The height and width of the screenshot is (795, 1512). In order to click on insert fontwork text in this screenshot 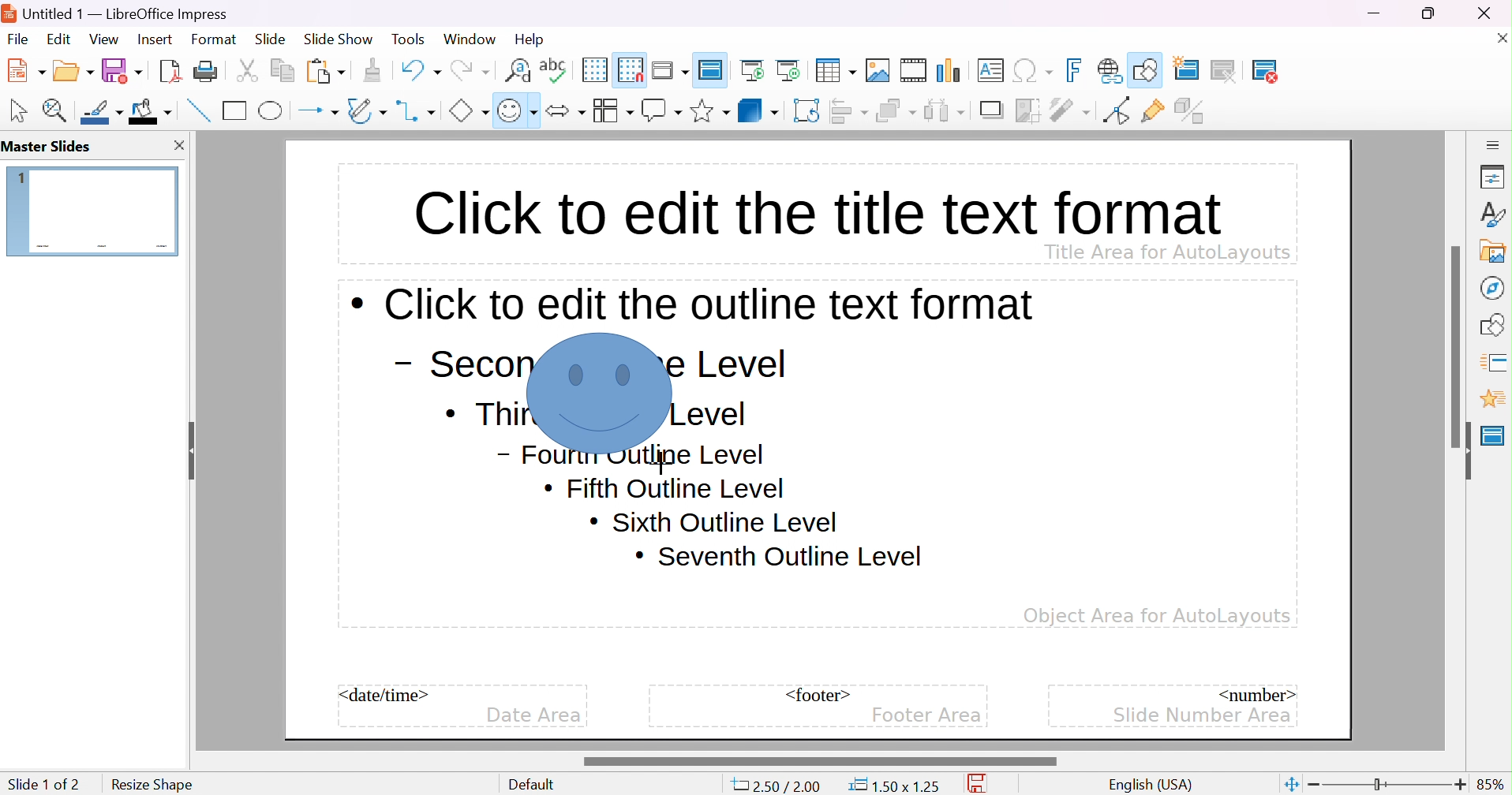, I will do `click(1076, 70)`.